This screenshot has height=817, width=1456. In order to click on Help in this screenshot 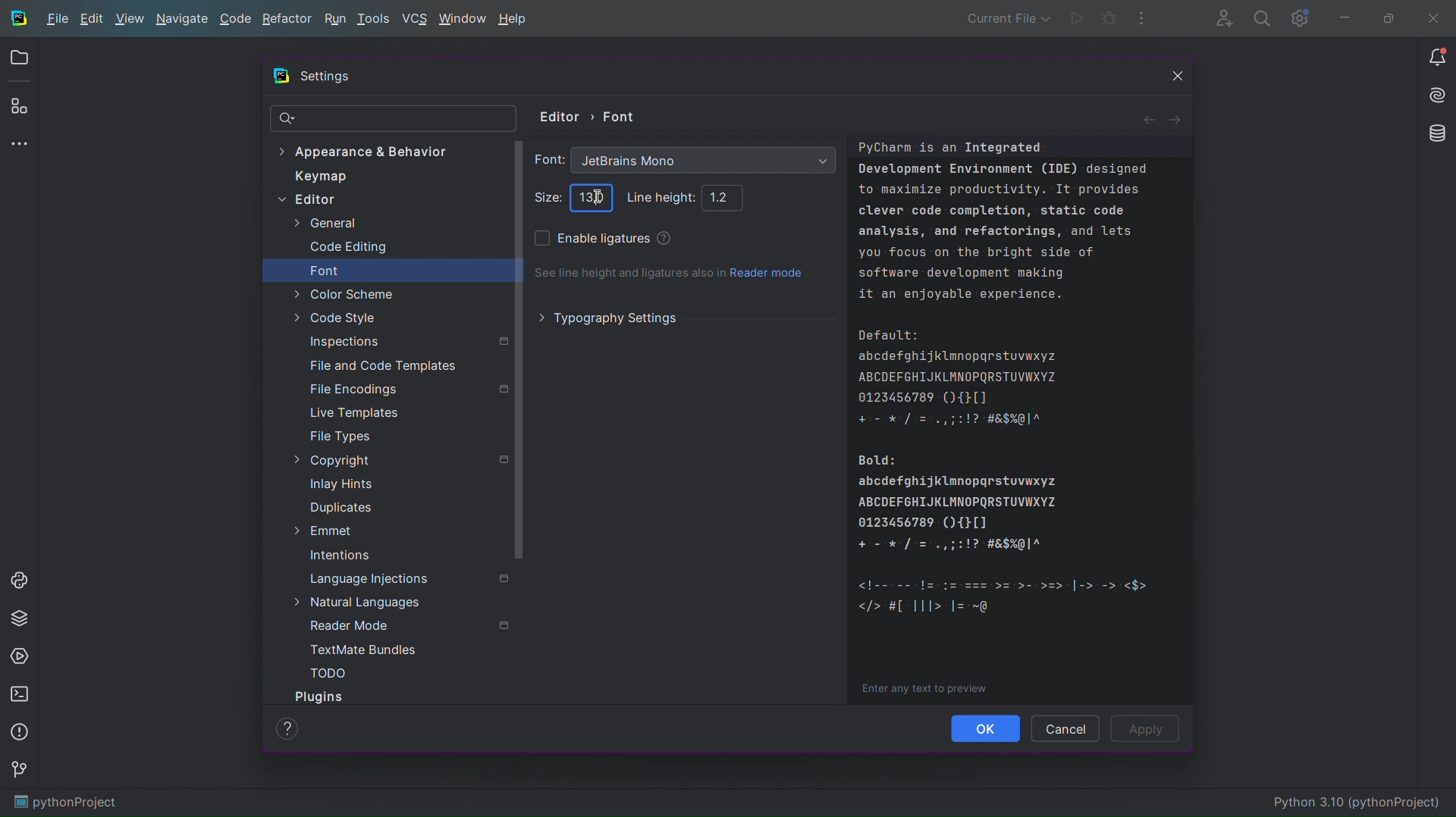, I will do `click(513, 20)`.